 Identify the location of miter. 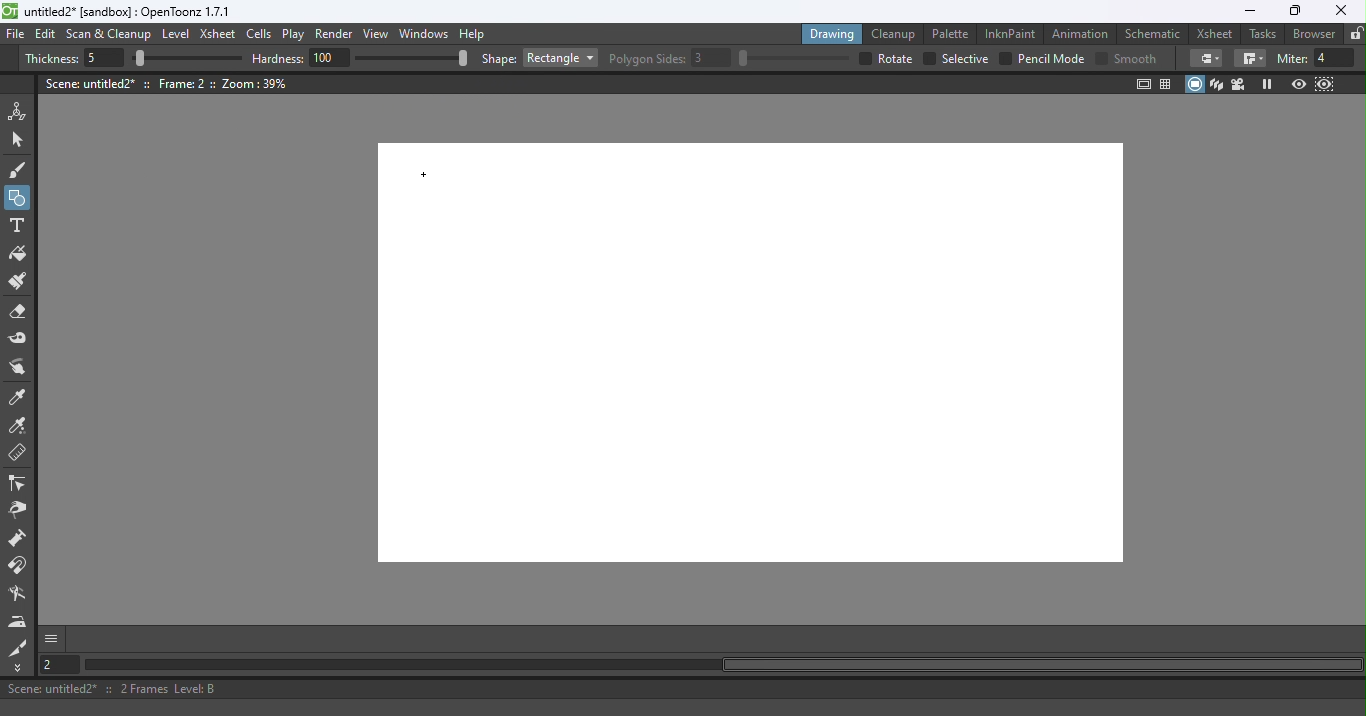
(1291, 58).